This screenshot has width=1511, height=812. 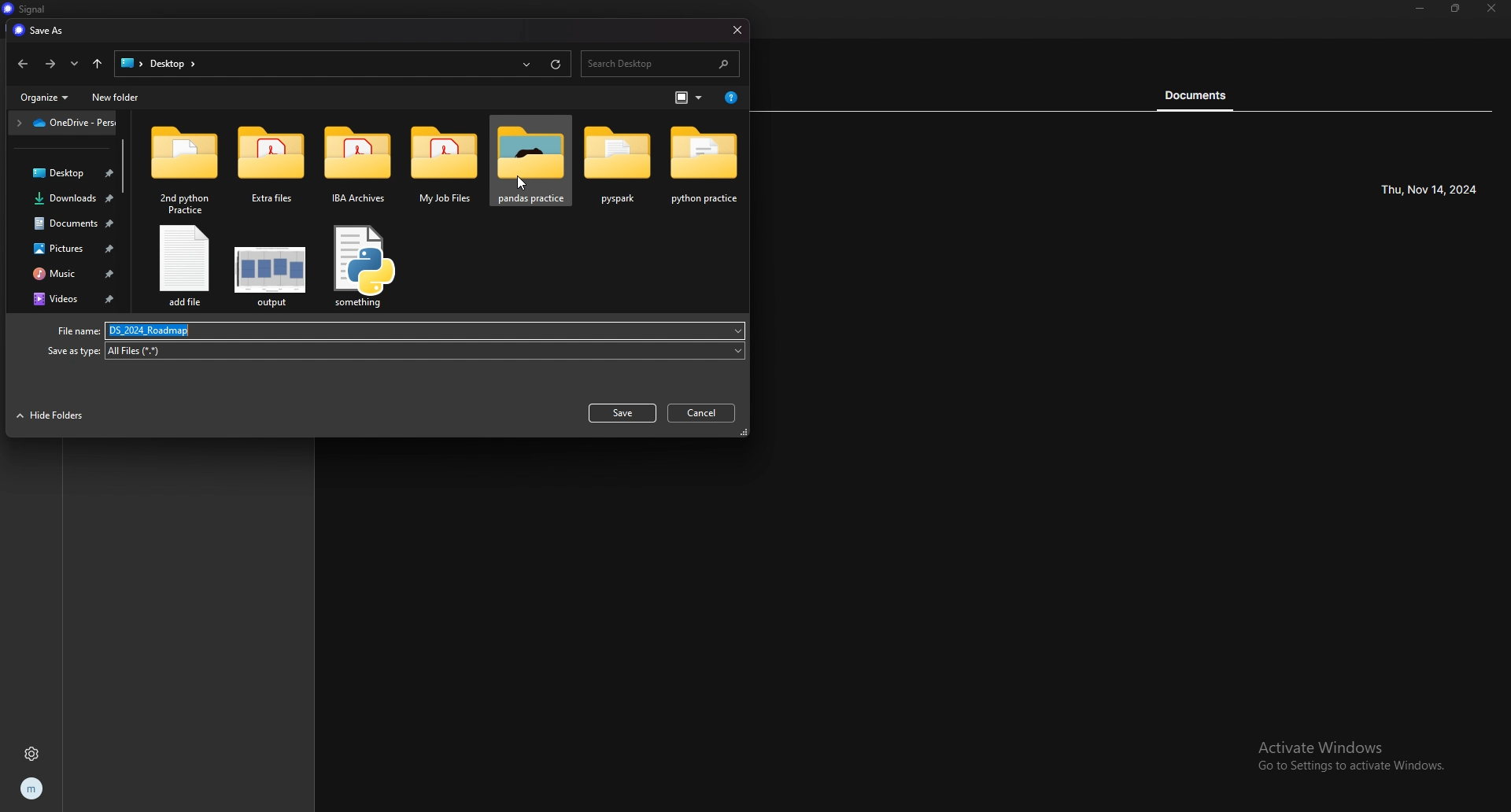 What do you see at coordinates (31, 752) in the screenshot?
I see `settings` at bounding box center [31, 752].